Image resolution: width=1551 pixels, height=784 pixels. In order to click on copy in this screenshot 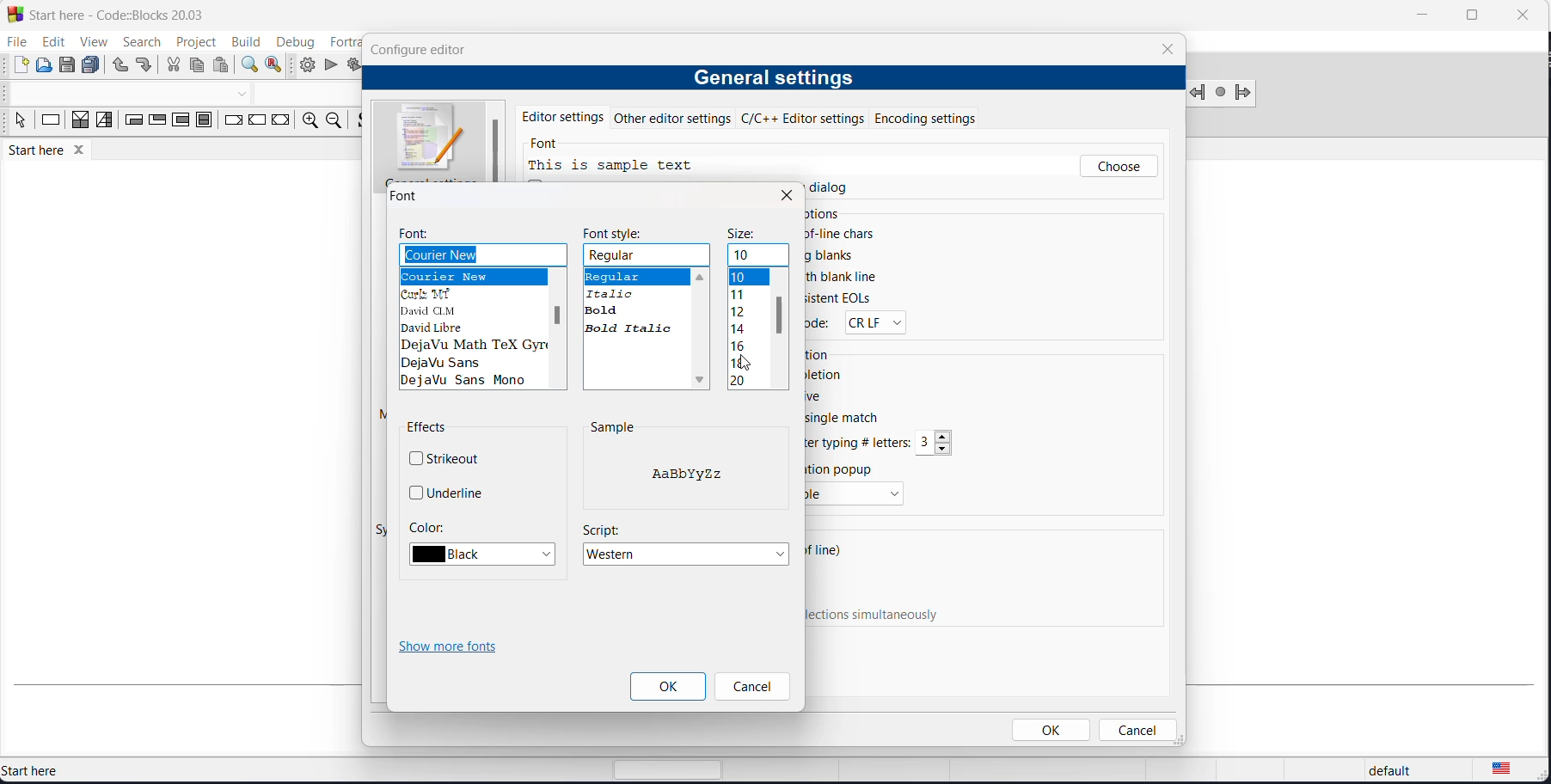, I will do `click(199, 67)`.